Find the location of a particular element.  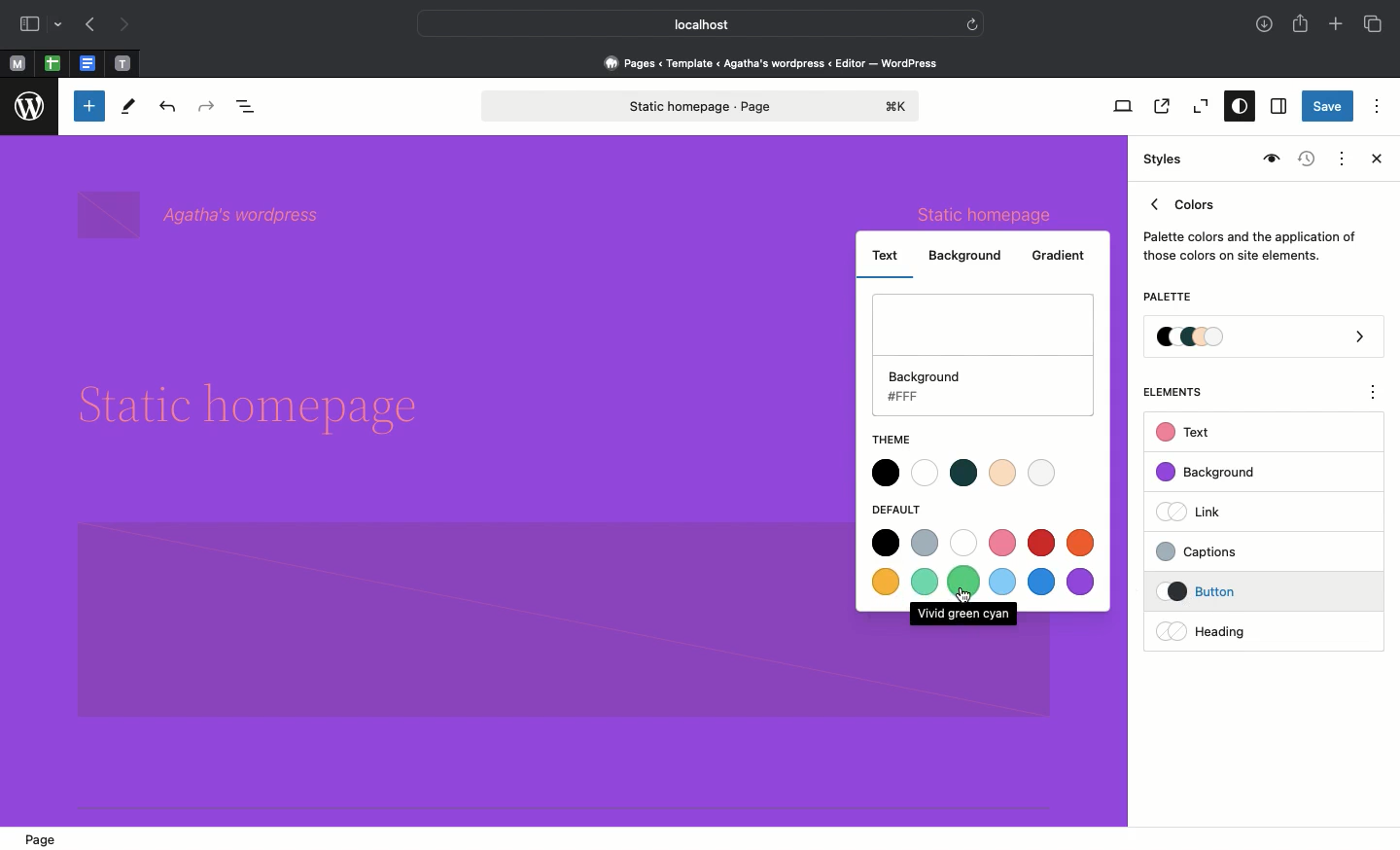

Pages < Template <Agatha's wordpress < editor - wordpress is located at coordinates (778, 62).